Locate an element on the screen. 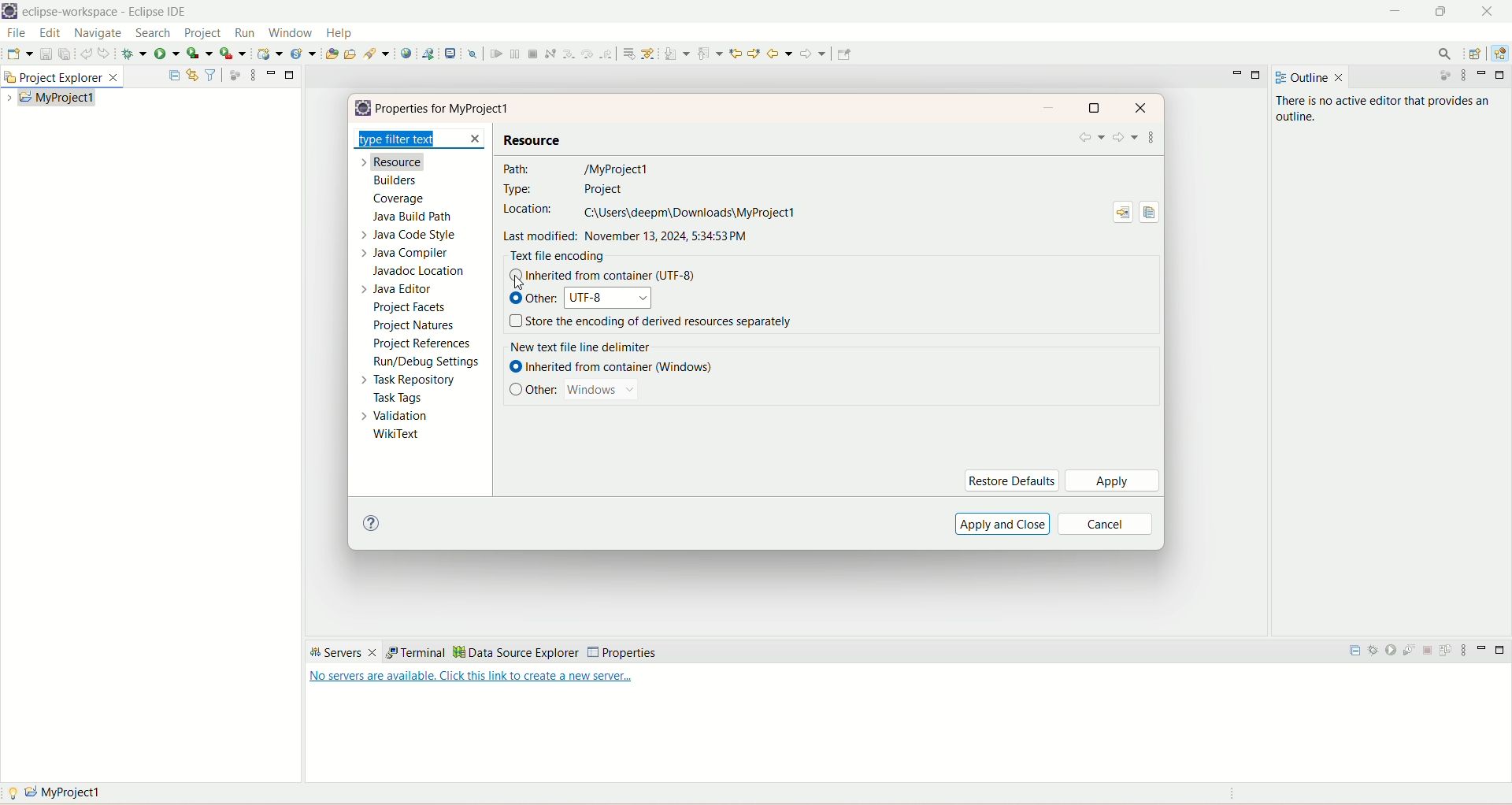  coverage is located at coordinates (199, 54).